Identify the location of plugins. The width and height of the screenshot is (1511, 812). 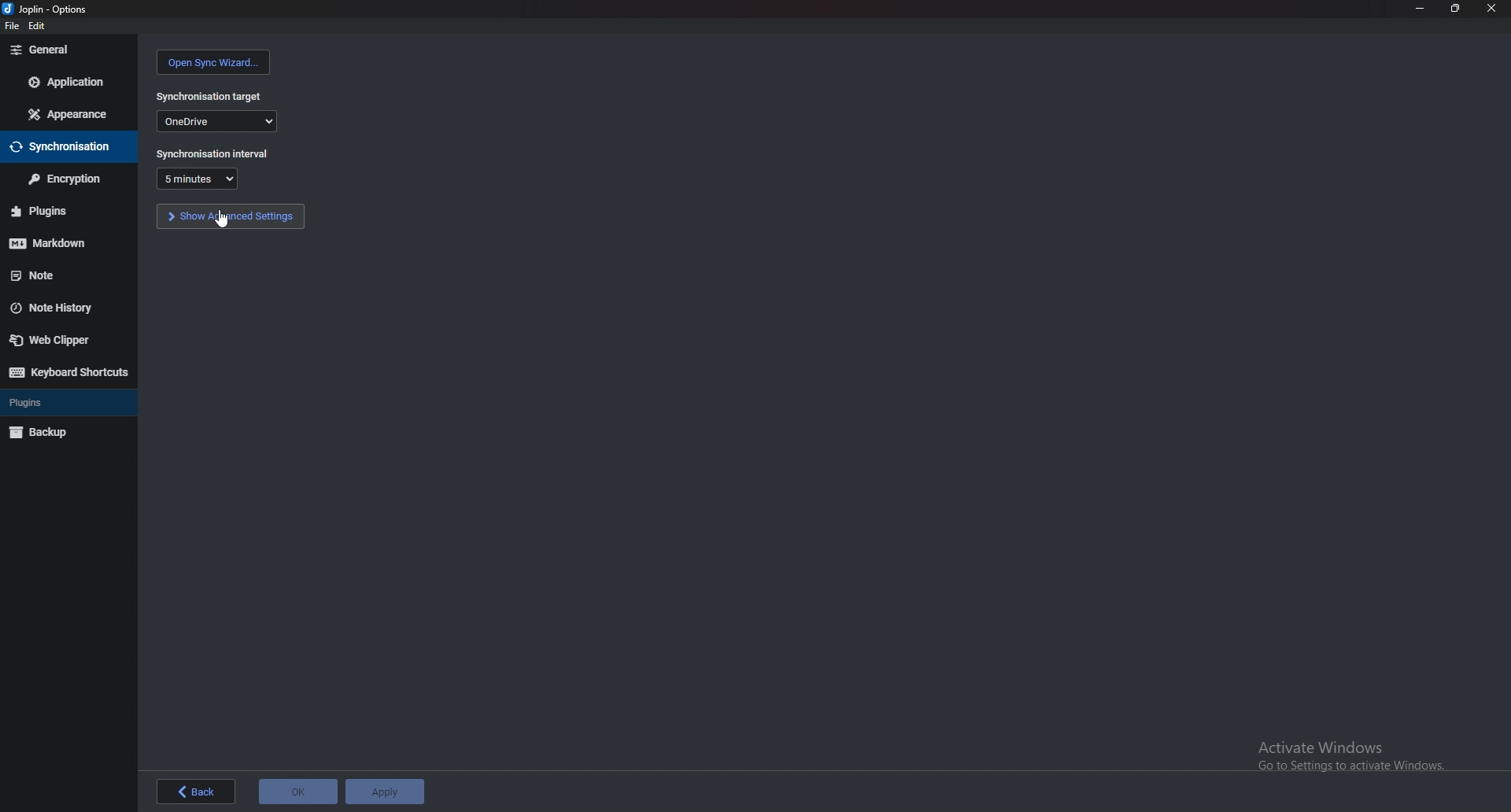
(63, 403).